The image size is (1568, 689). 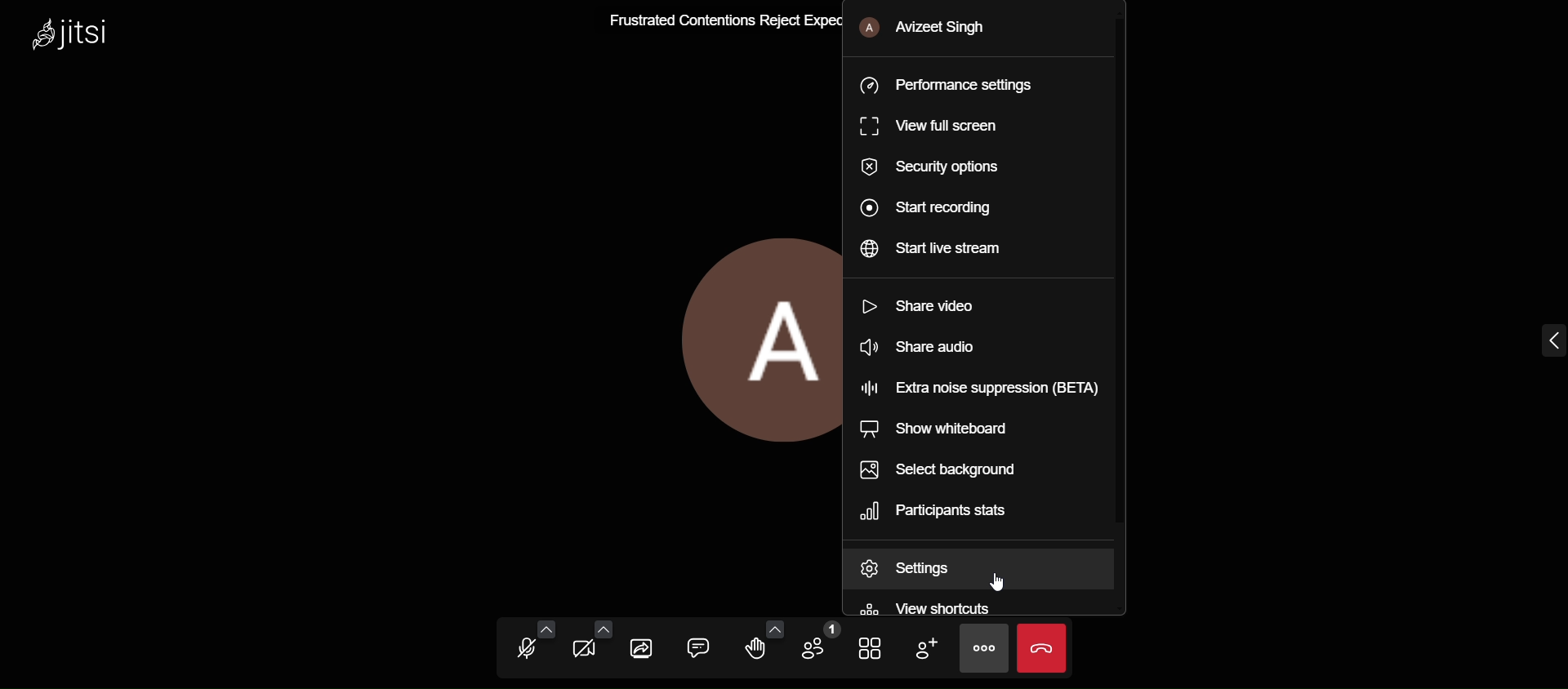 I want to click on profile picture, so click(x=740, y=339).